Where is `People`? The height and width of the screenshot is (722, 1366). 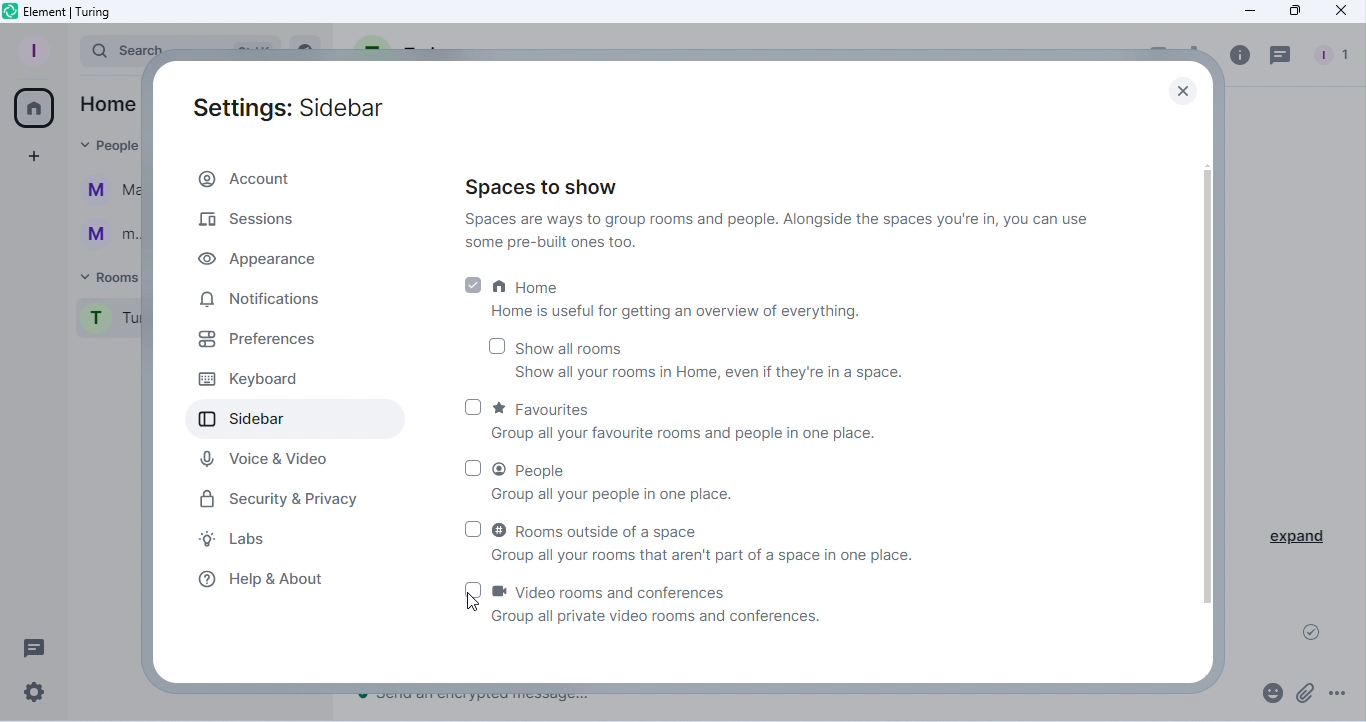
People is located at coordinates (1333, 58).